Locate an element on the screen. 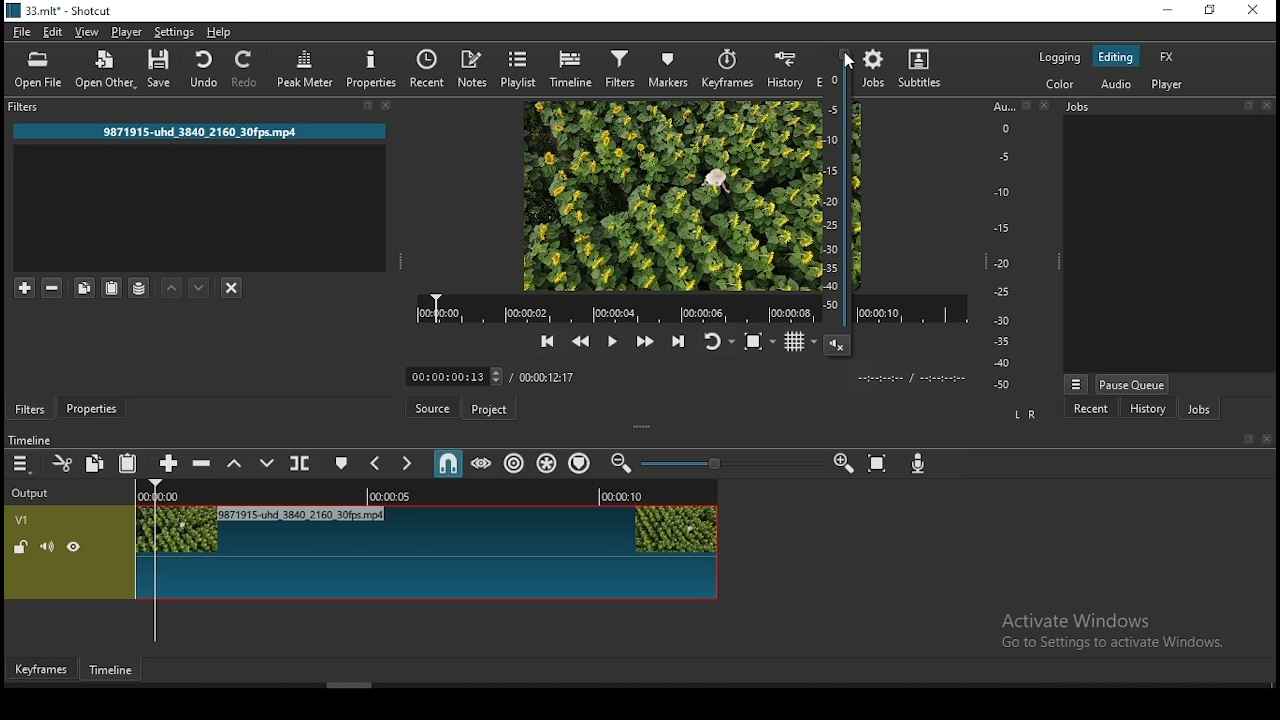  pause queue is located at coordinates (1134, 384).